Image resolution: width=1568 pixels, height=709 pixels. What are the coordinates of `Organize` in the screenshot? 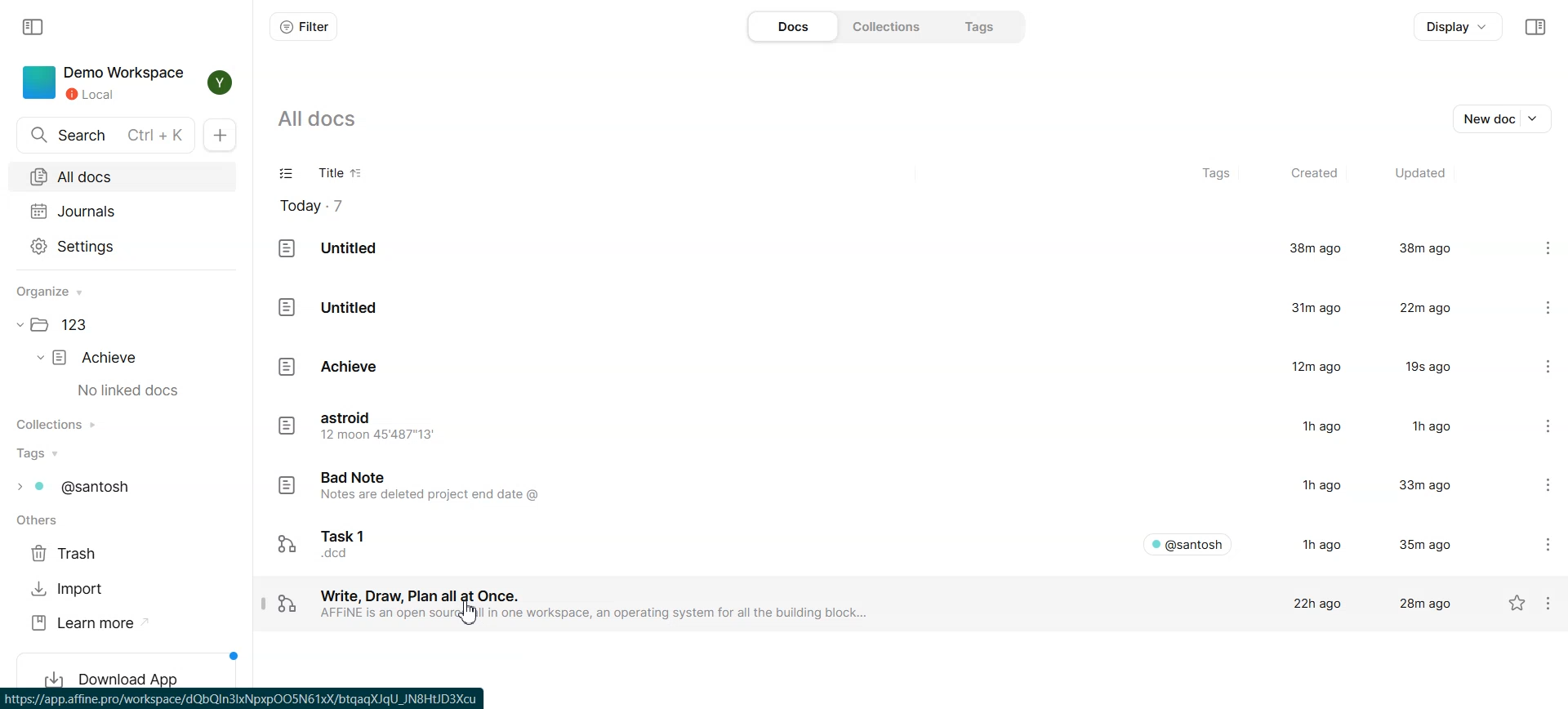 It's located at (57, 292).